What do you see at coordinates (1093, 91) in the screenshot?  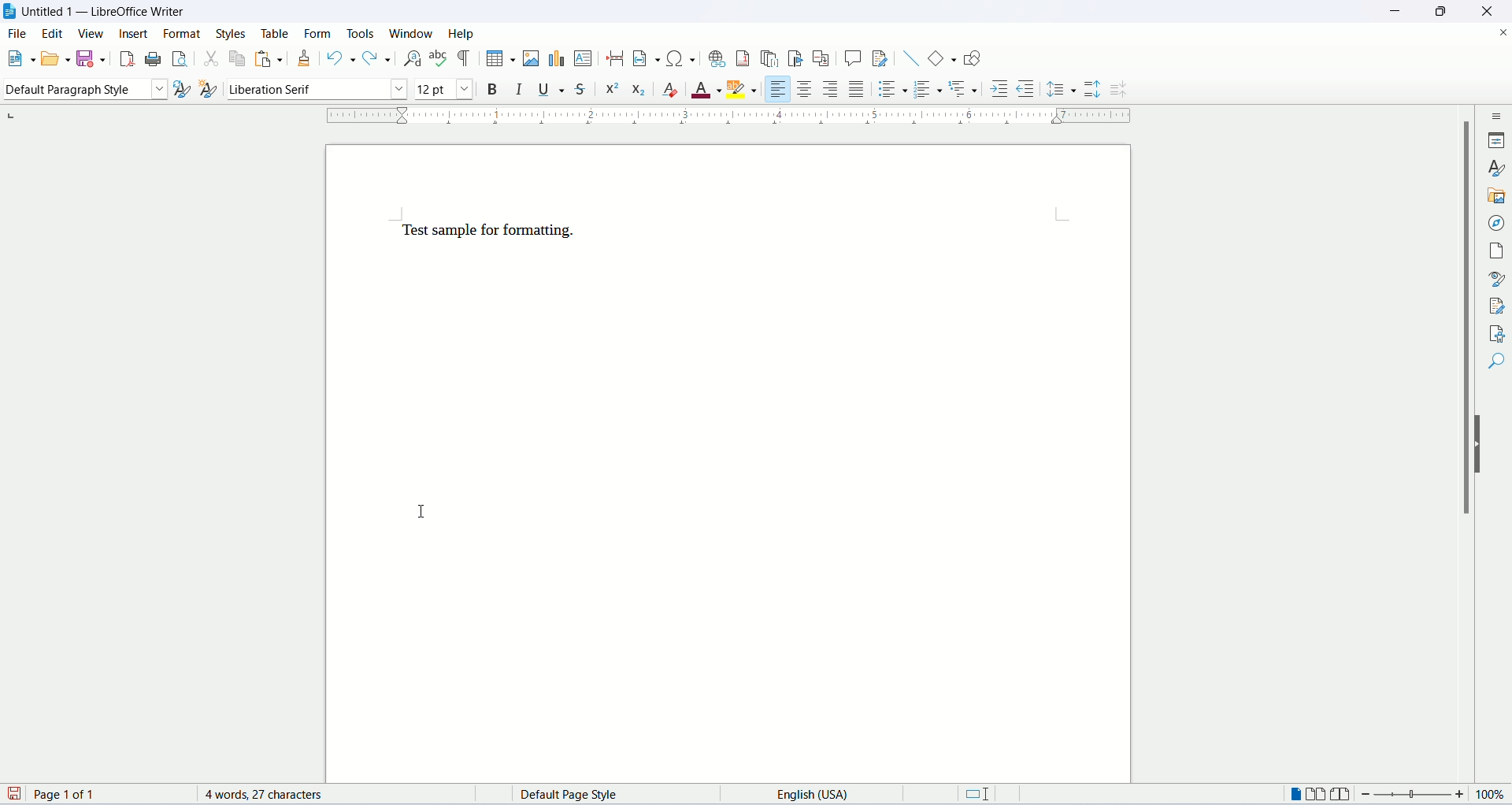 I see `increase paragraph spacing` at bounding box center [1093, 91].